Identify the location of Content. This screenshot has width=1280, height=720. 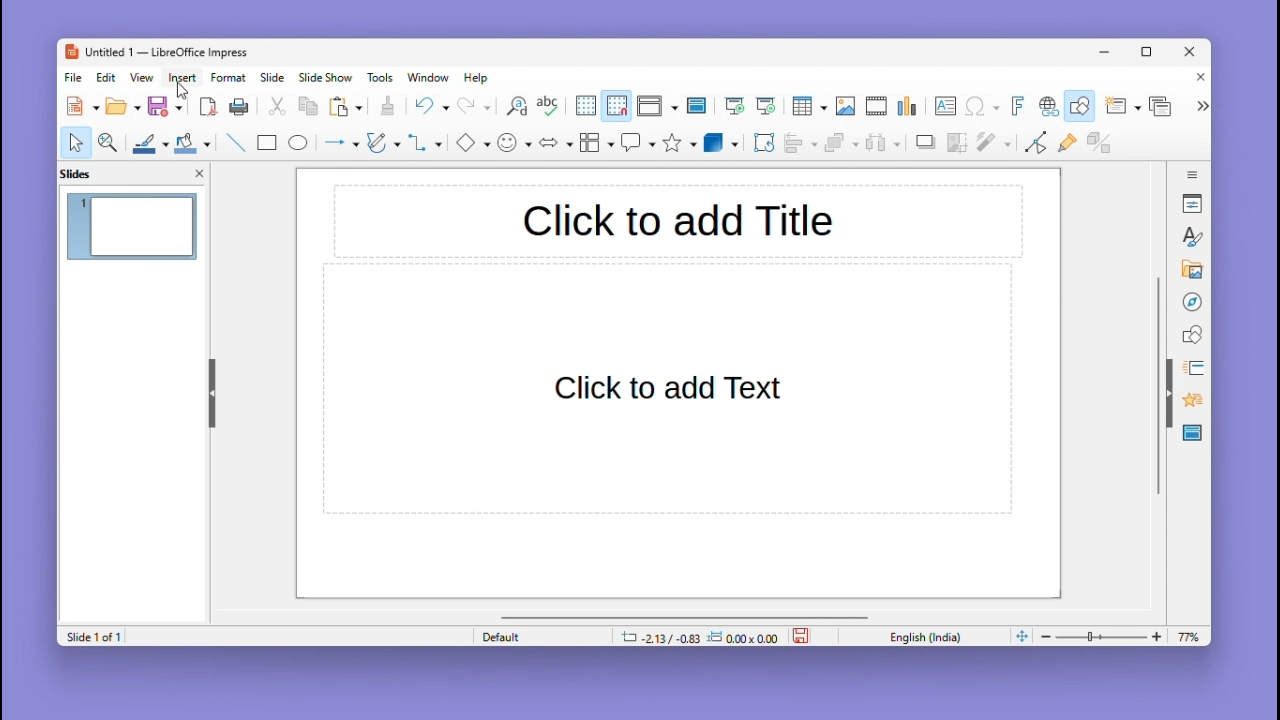
(669, 391).